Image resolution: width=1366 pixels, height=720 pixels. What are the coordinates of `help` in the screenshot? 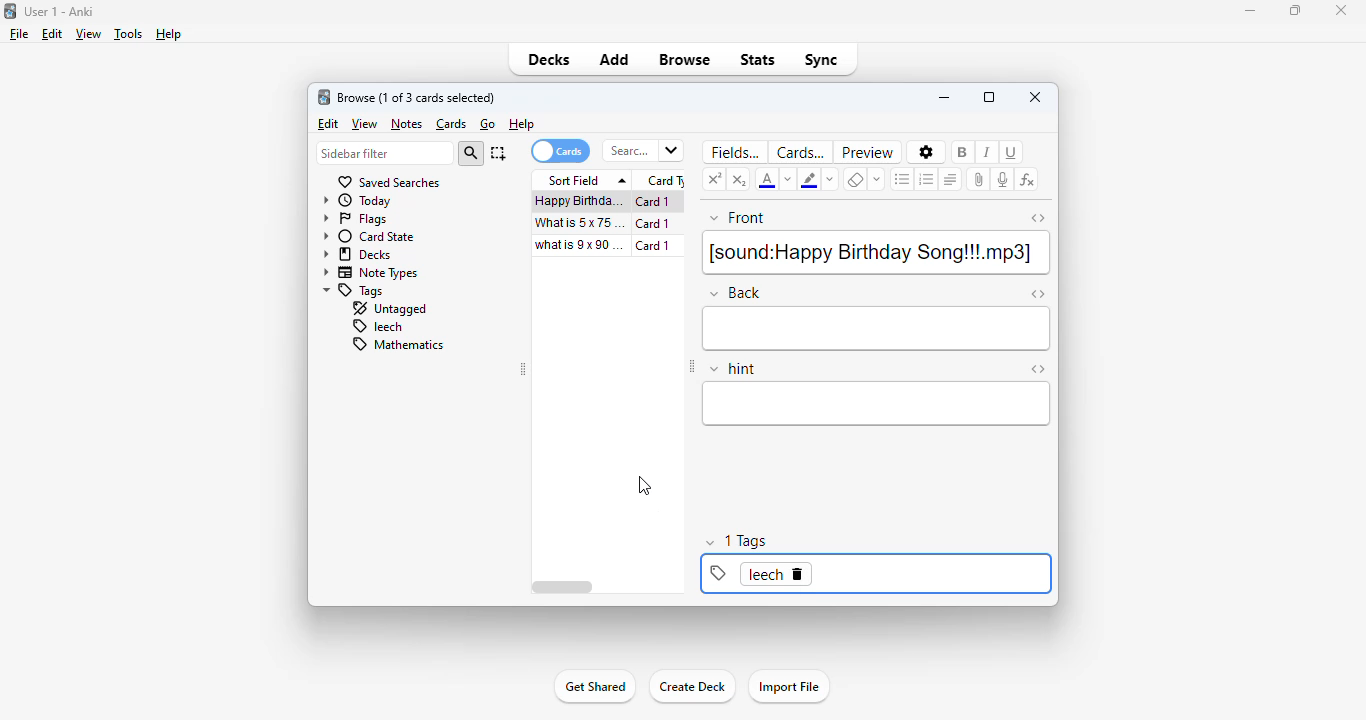 It's located at (172, 33).